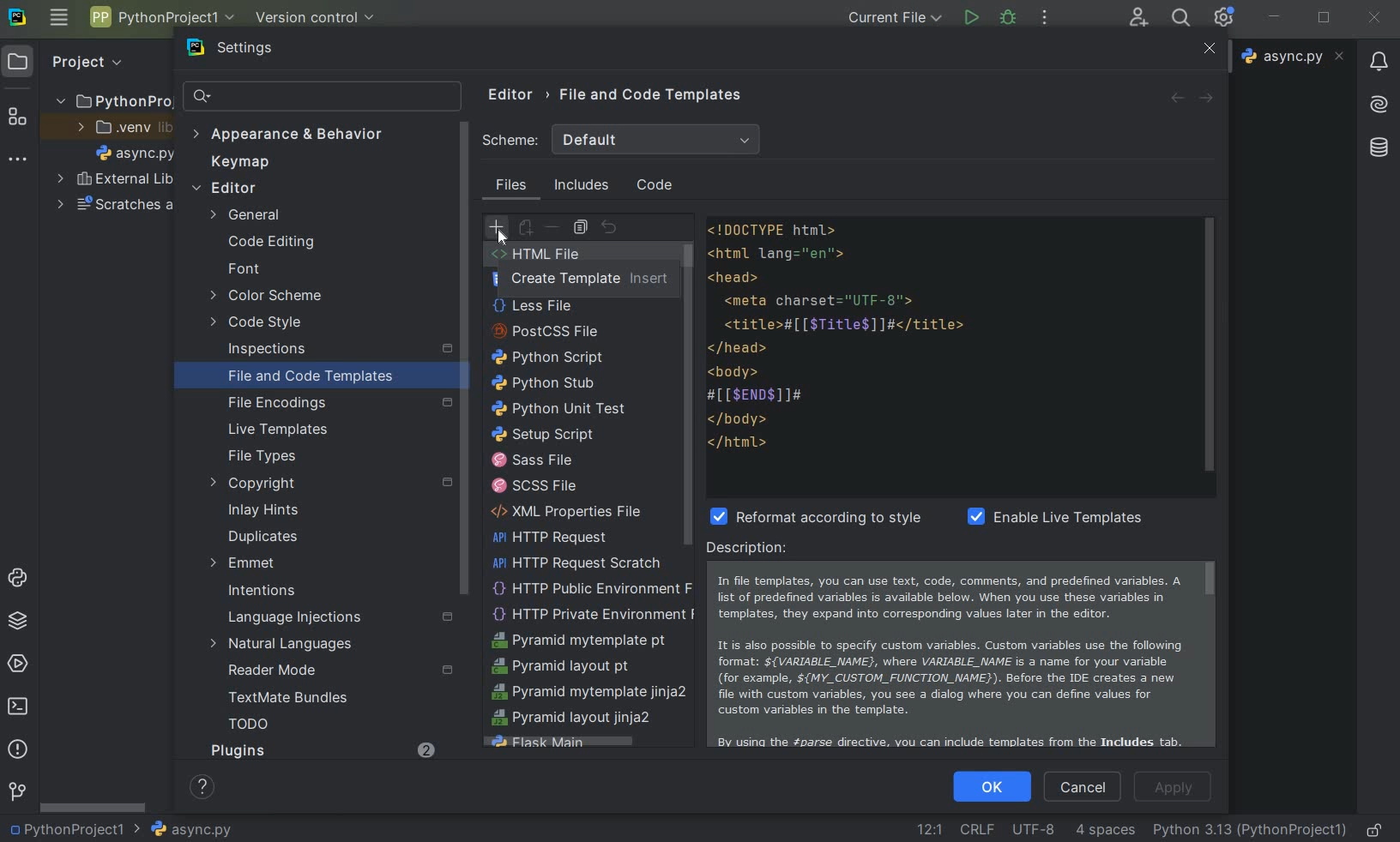 The width and height of the screenshot is (1400, 842). Describe the element at coordinates (251, 48) in the screenshot. I see `settings` at that location.